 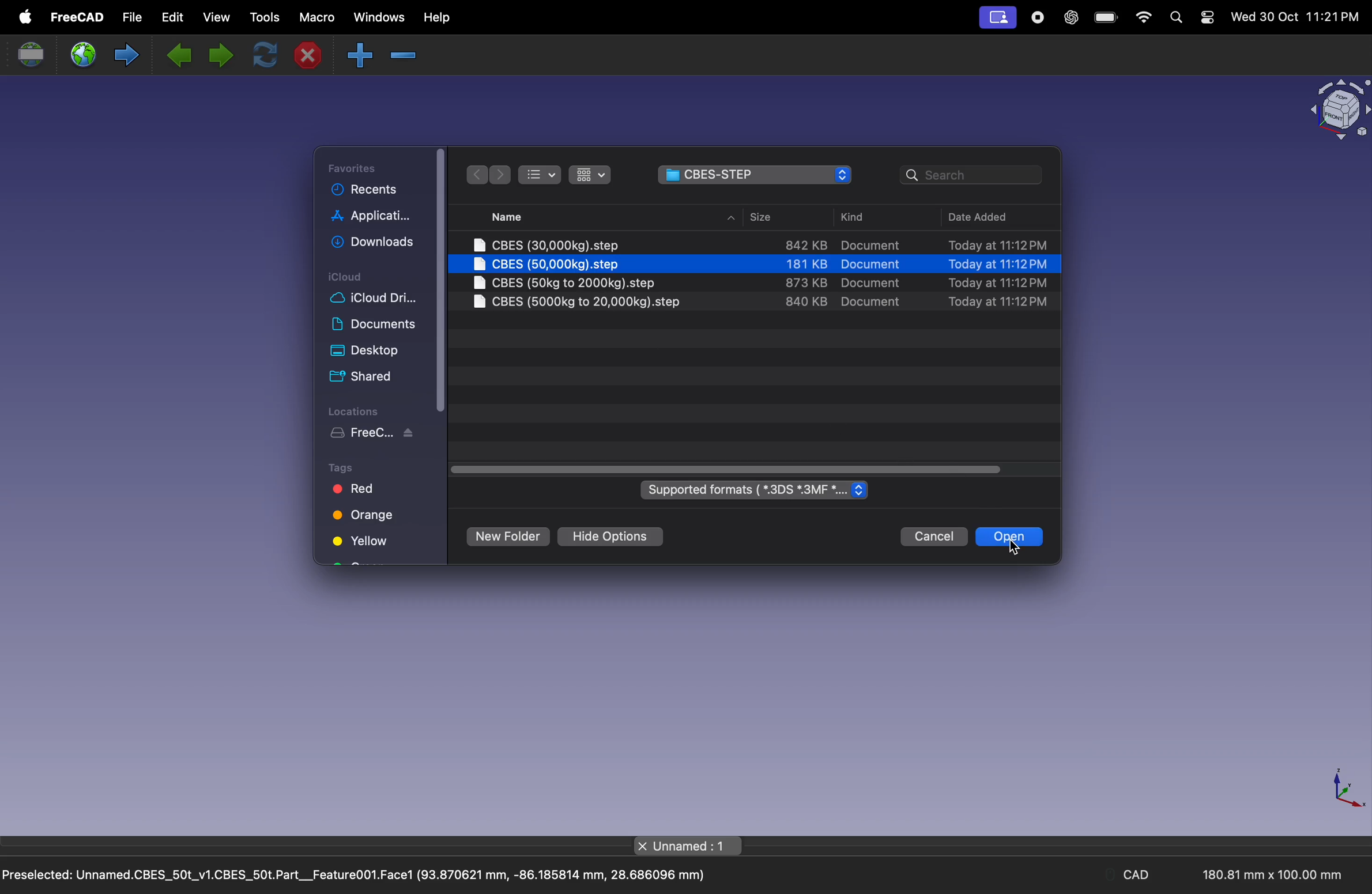 I want to click on tools, so click(x=261, y=17).